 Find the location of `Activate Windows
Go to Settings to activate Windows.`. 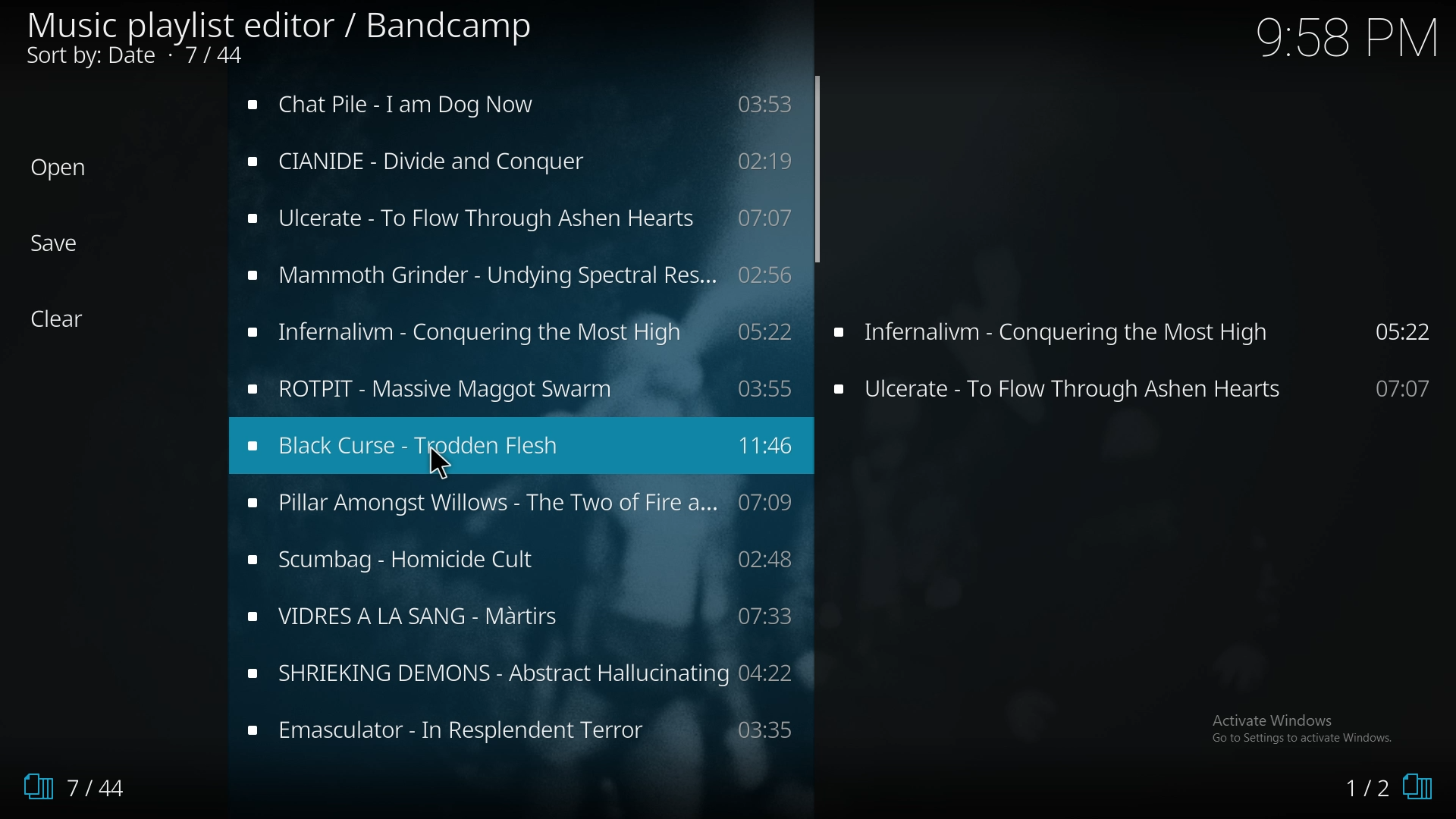

Activate Windows
Go to Settings to activate Windows. is located at coordinates (1303, 726).